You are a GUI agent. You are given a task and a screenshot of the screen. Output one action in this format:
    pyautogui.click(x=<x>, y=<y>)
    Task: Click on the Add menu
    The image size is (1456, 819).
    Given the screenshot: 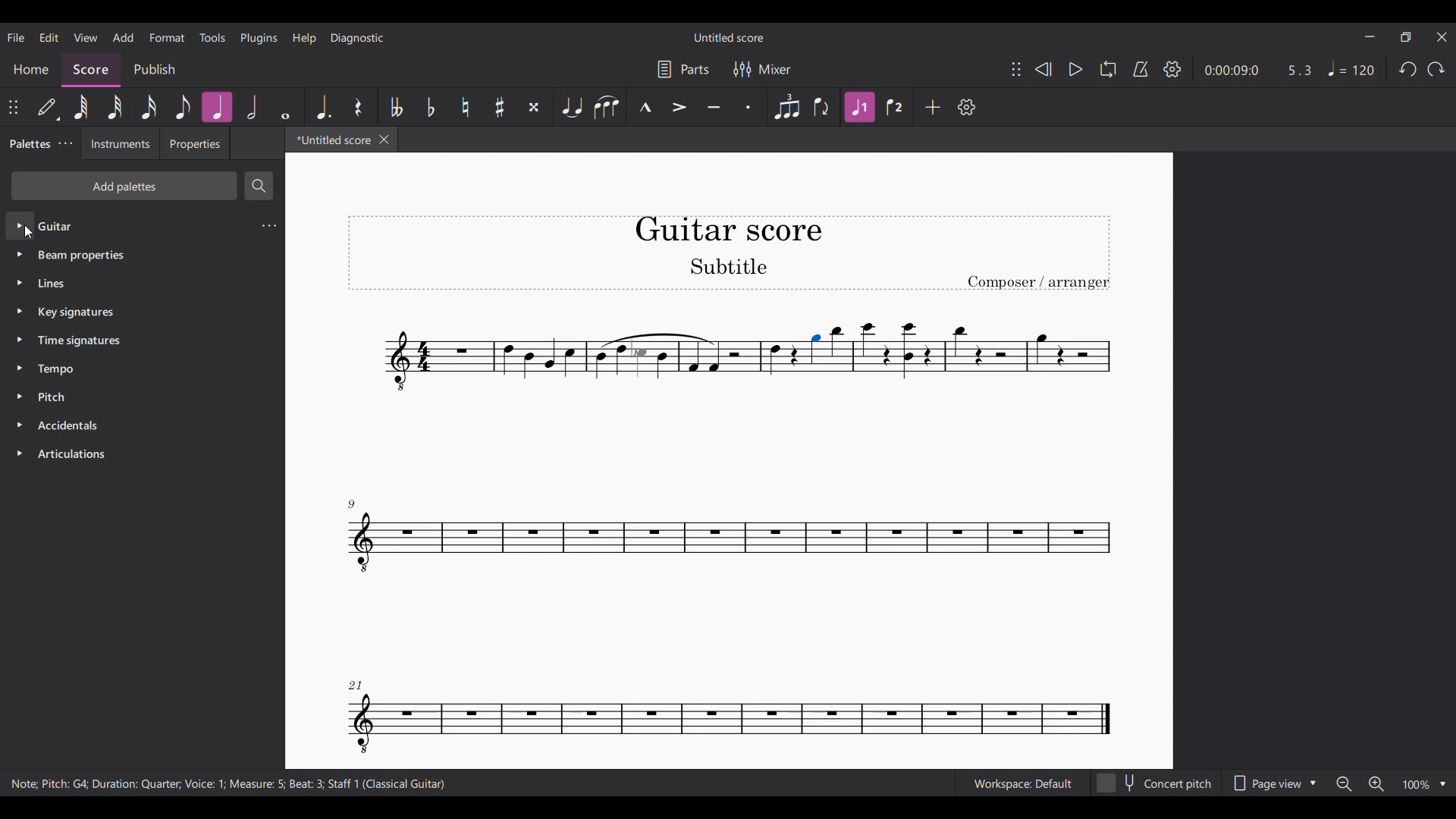 What is the action you would take?
    pyautogui.click(x=123, y=37)
    